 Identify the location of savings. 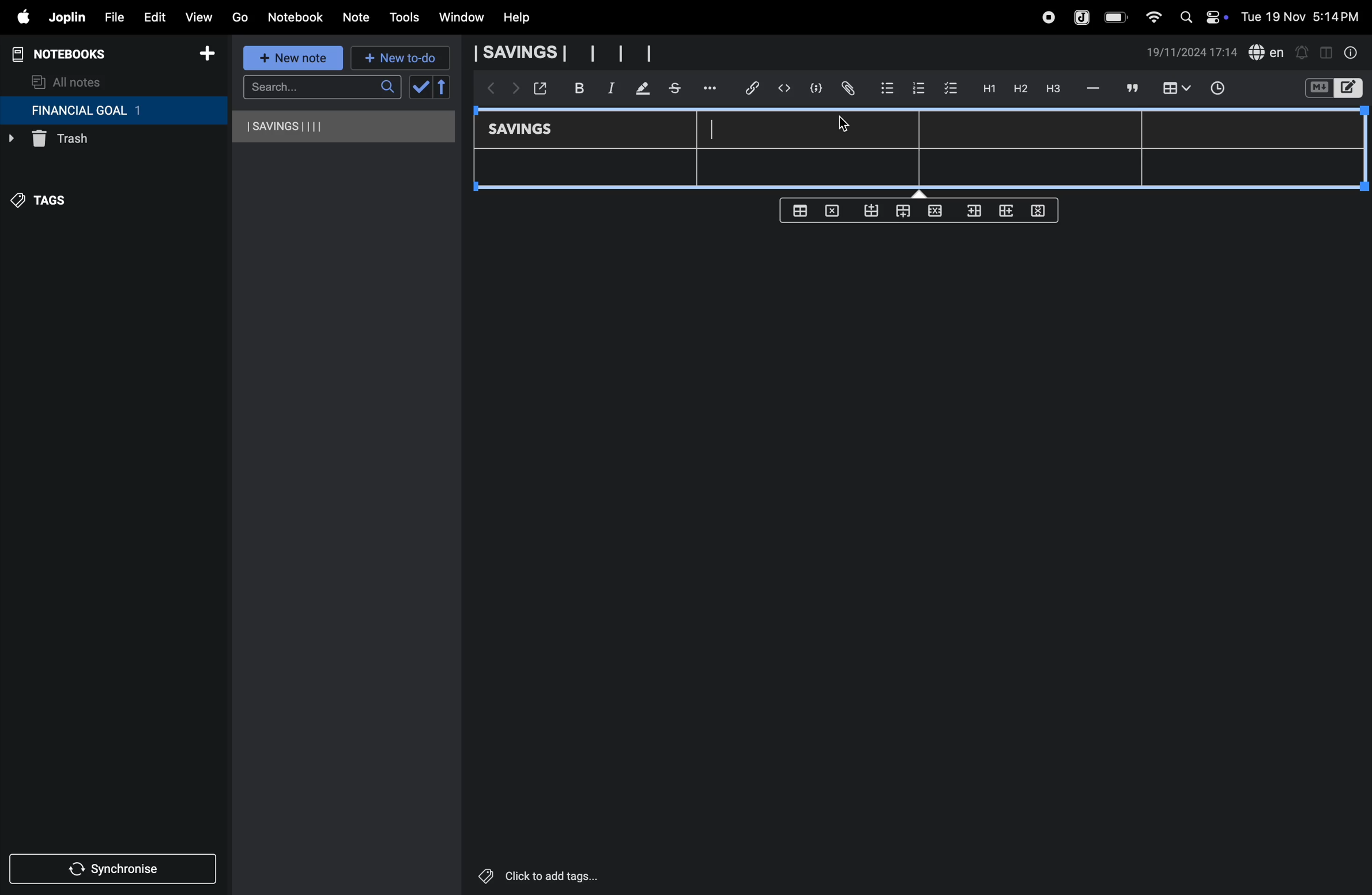
(562, 54).